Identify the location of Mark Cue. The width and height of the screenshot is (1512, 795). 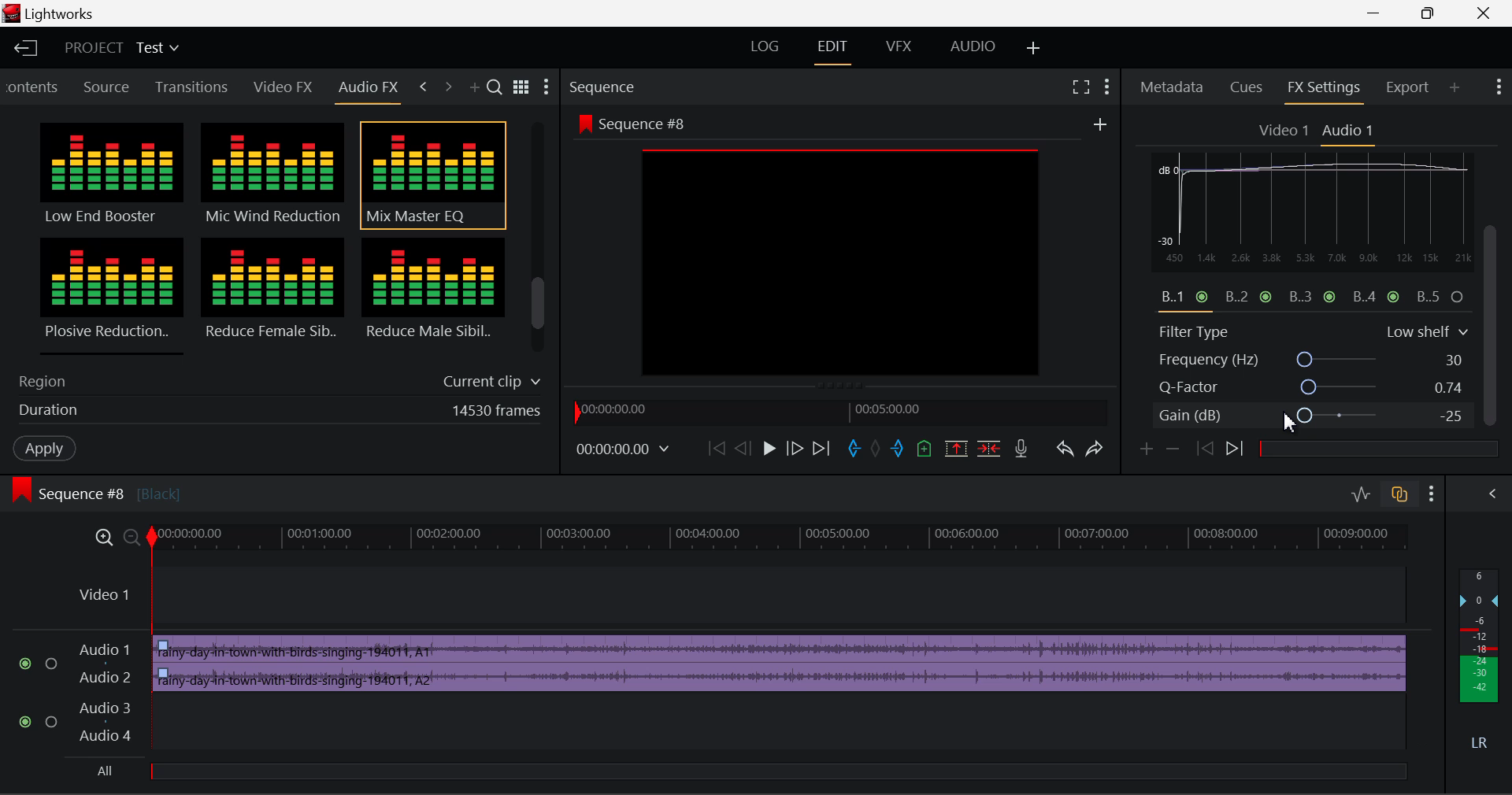
(923, 449).